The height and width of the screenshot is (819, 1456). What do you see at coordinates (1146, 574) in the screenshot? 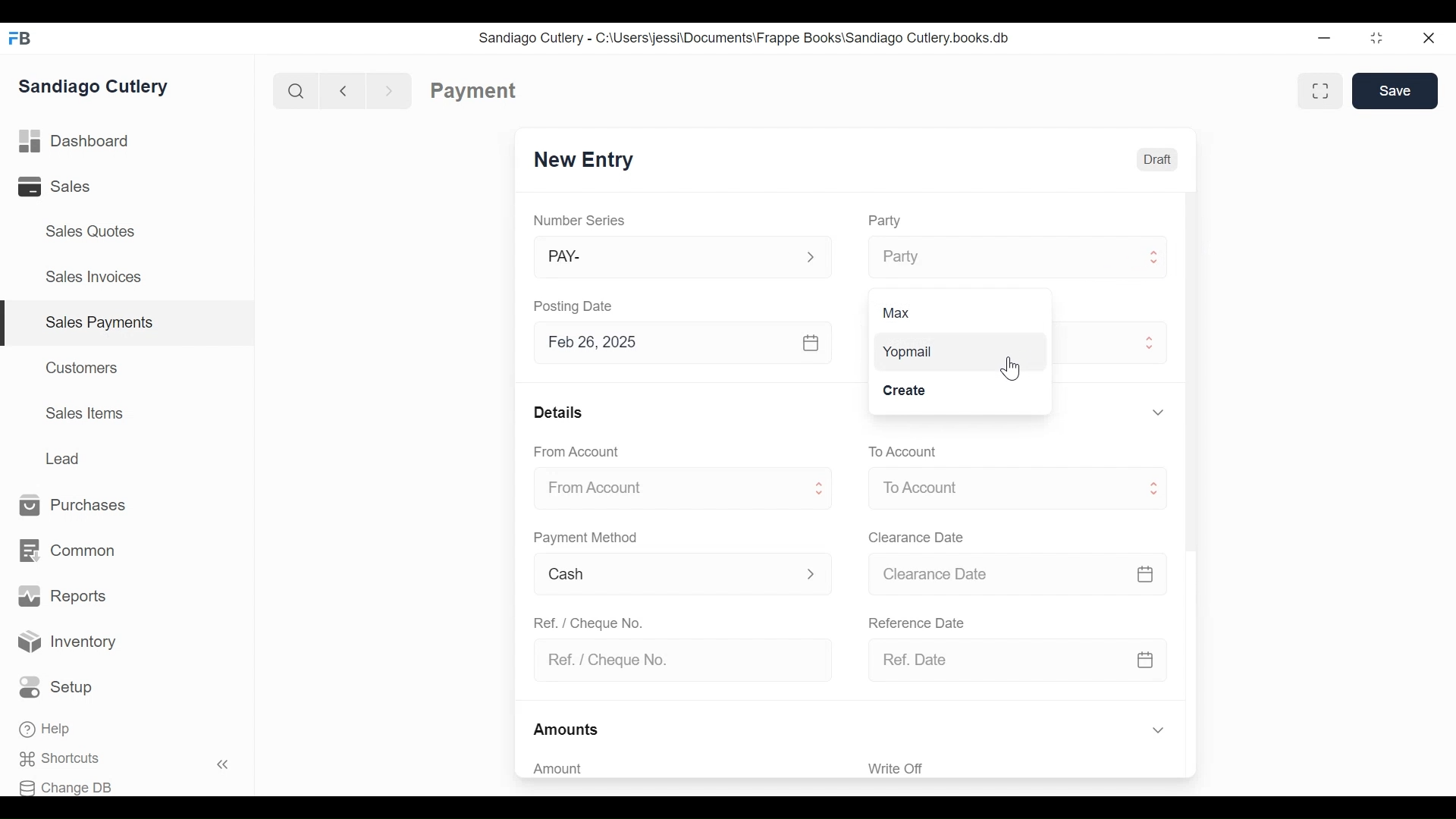
I see `Calendar` at bounding box center [1146, 574].